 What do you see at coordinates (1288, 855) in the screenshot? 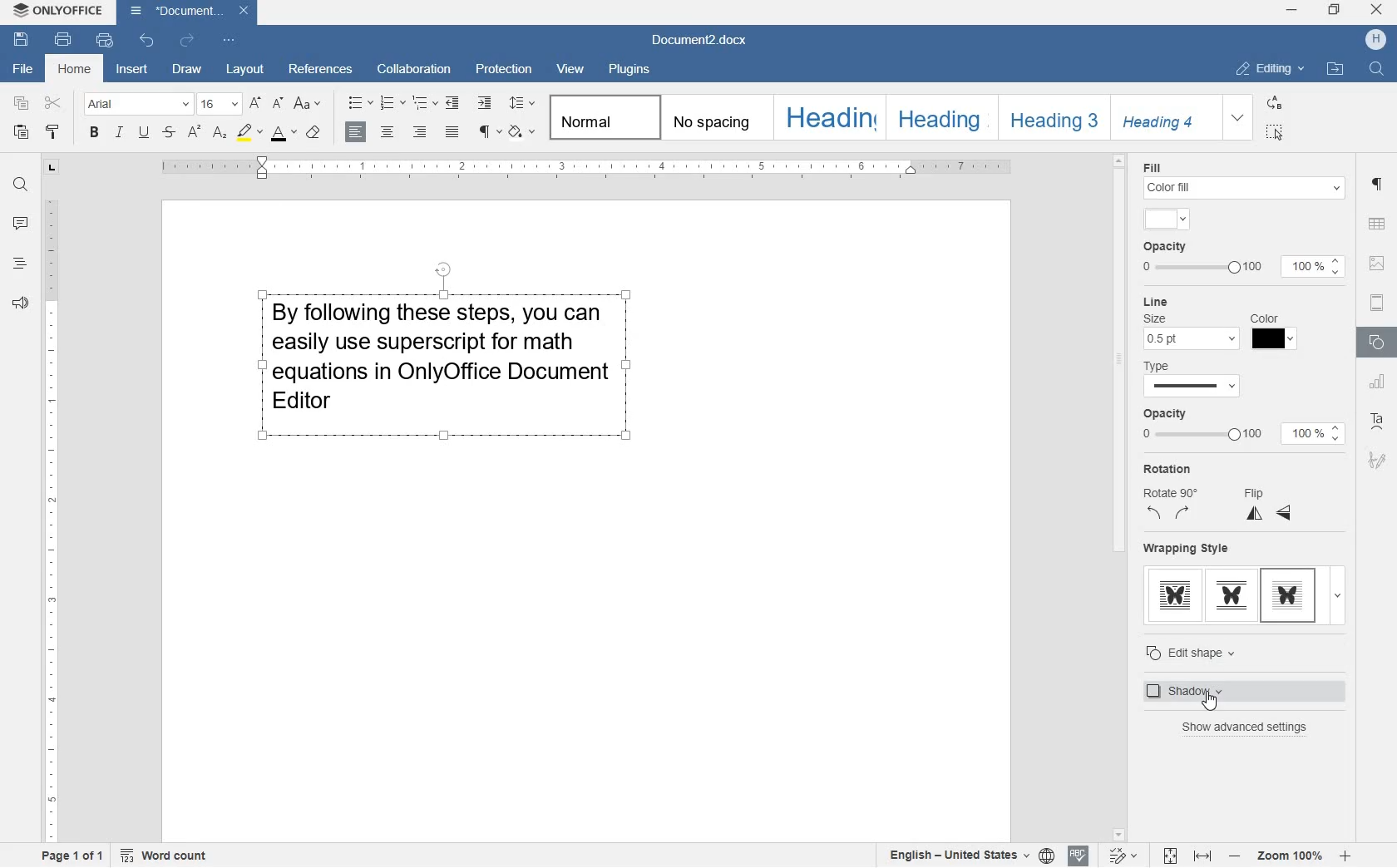
I see `zoom in or zoom out` at bounding box center [1288, 855].